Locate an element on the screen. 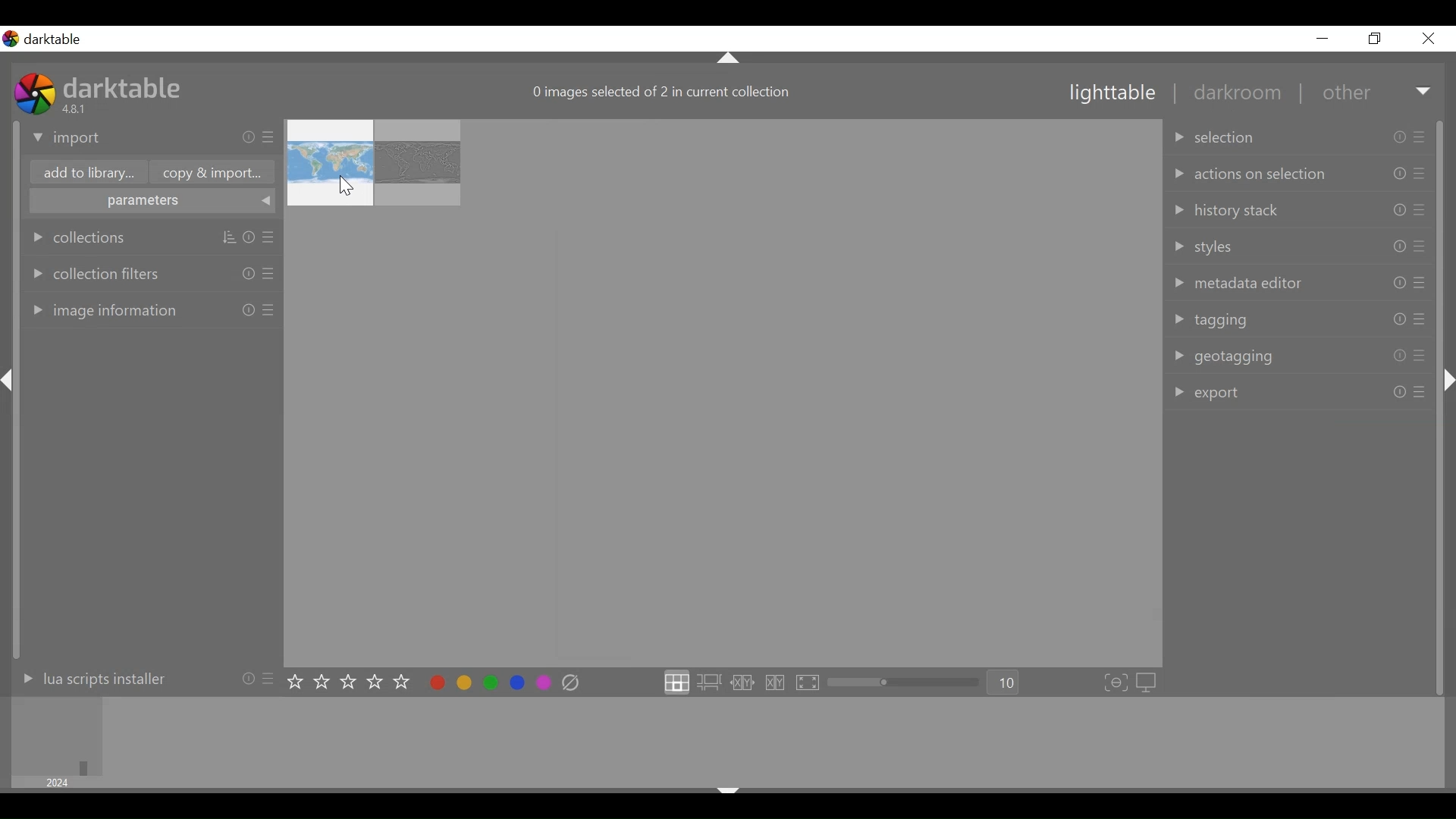 This screenshot has width=1456, height=819. clear color labels is located at coordinates (570, 683).